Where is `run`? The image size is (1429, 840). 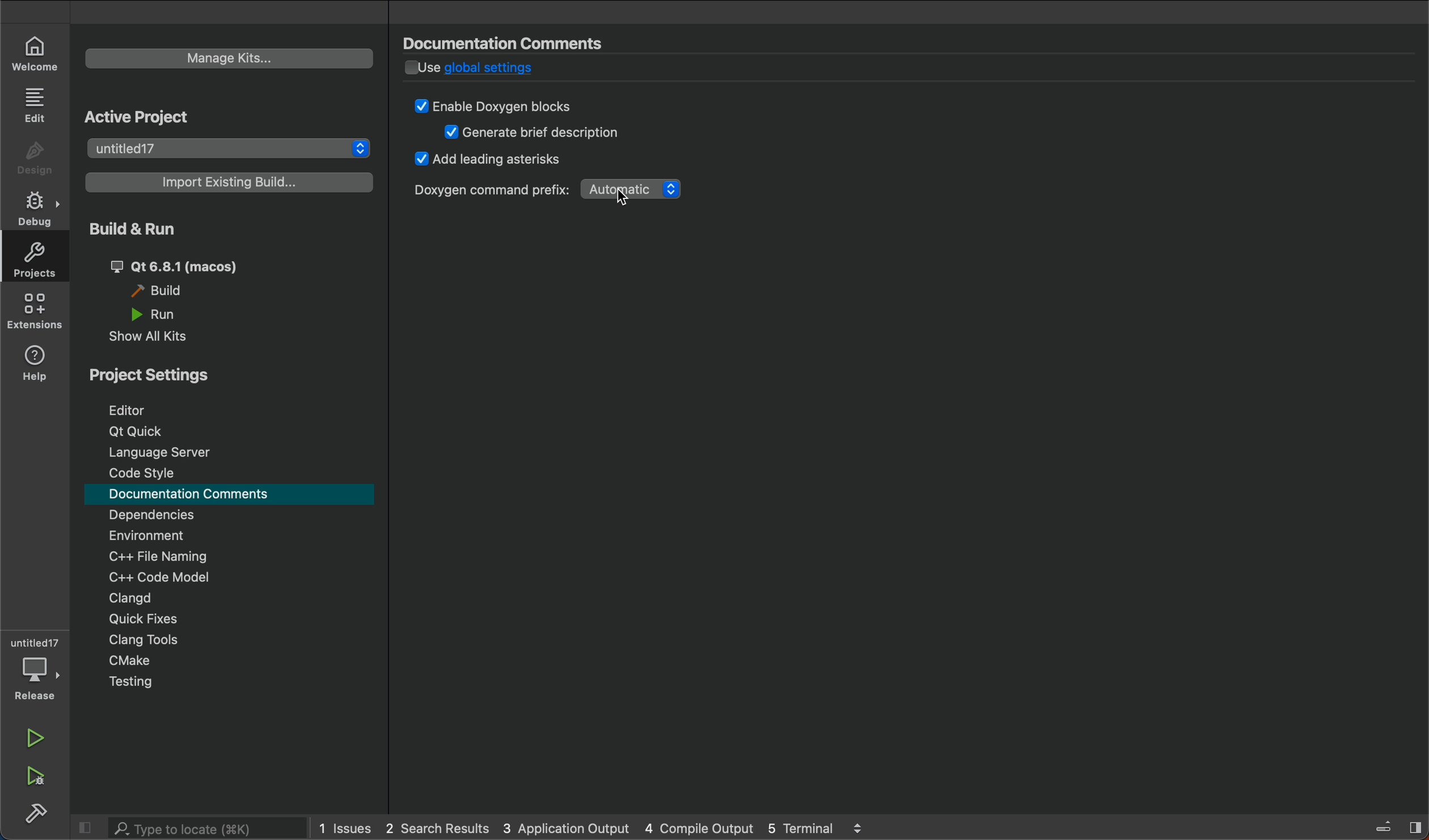 run is located at coordinates (35, 737).